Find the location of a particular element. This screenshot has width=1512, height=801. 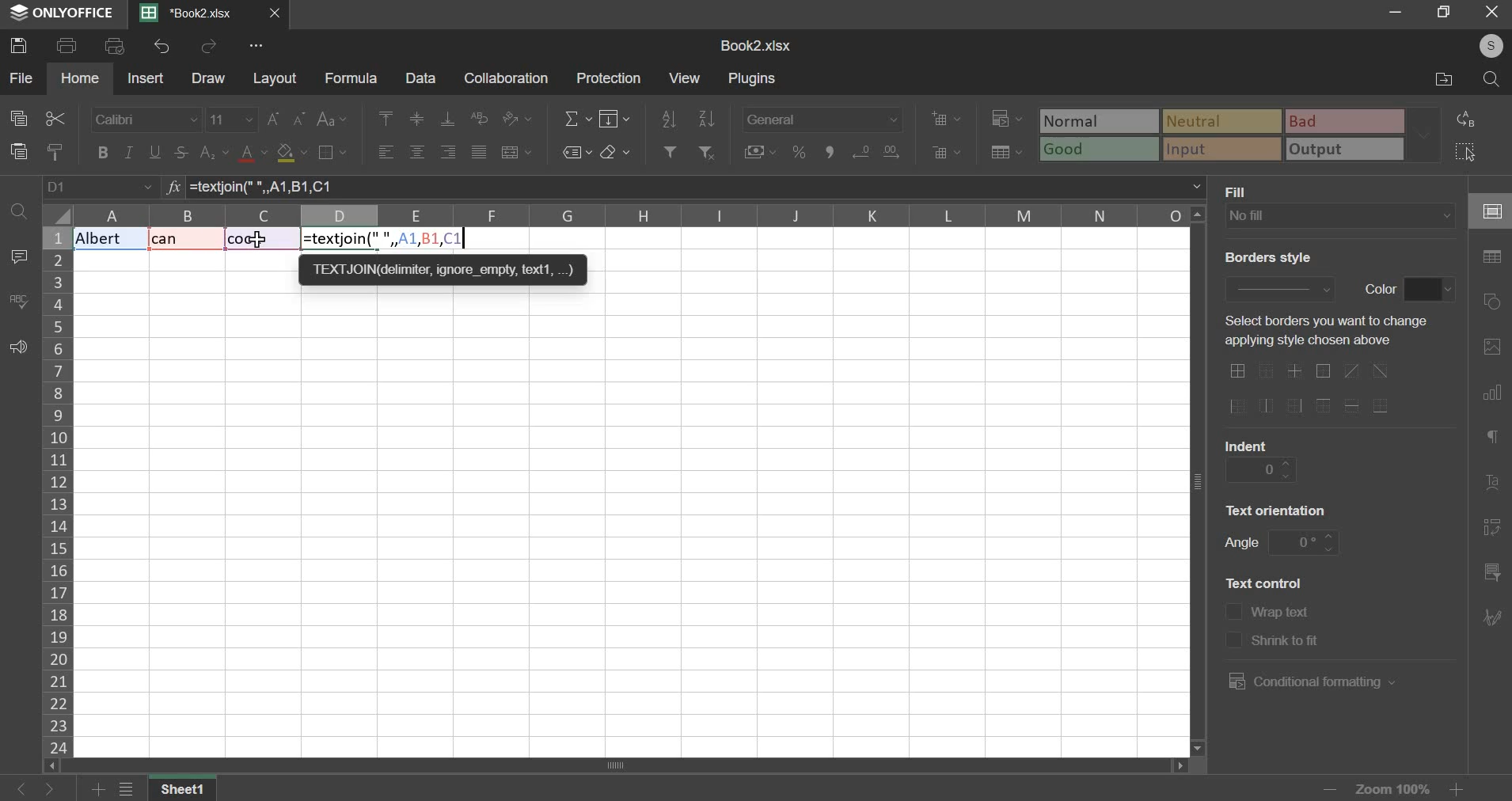

Text is located at coordinates (179, 240).